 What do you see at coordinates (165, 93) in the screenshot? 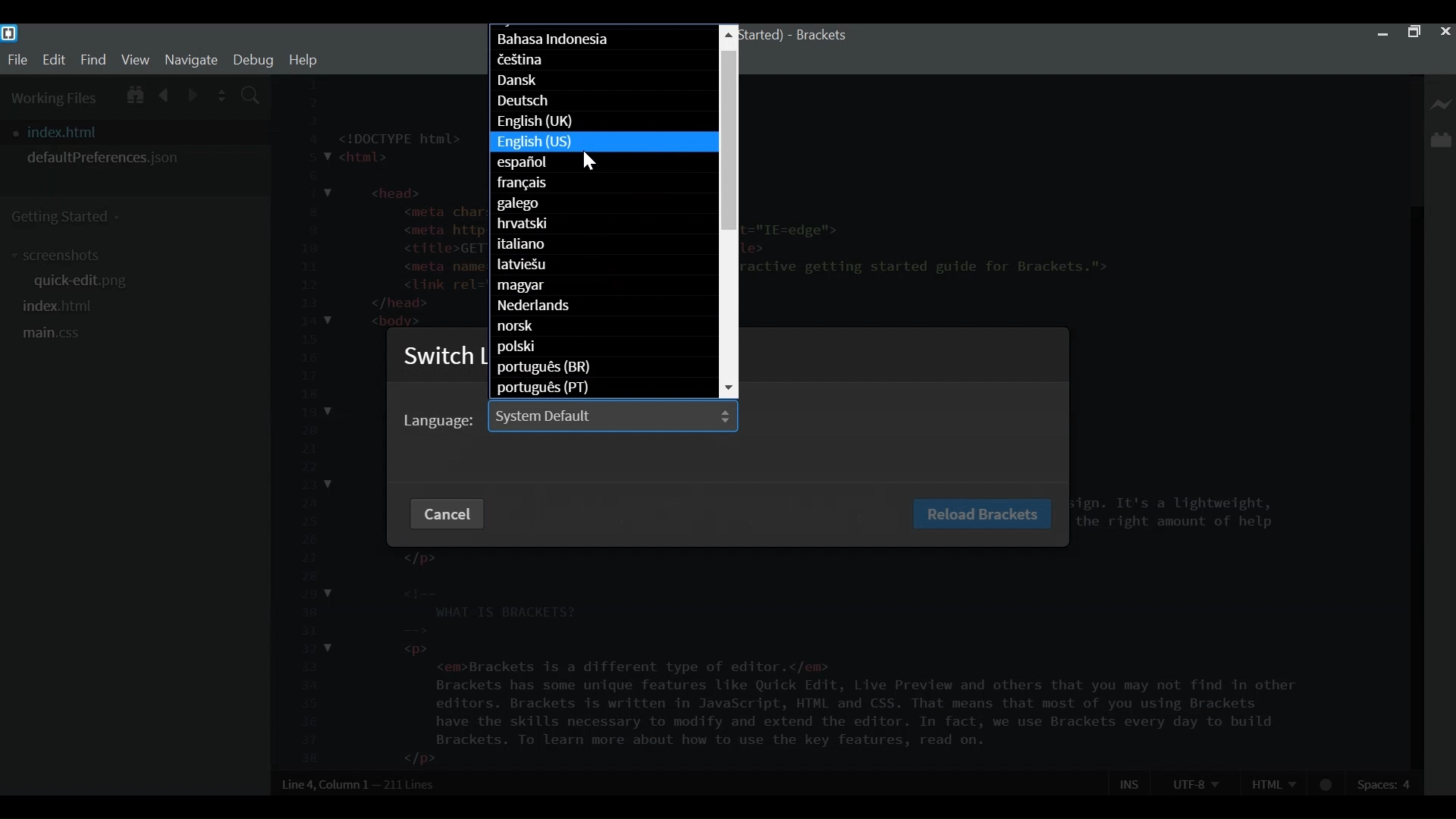
I see `Navigate Backwards` at bounding box center [165, 93].